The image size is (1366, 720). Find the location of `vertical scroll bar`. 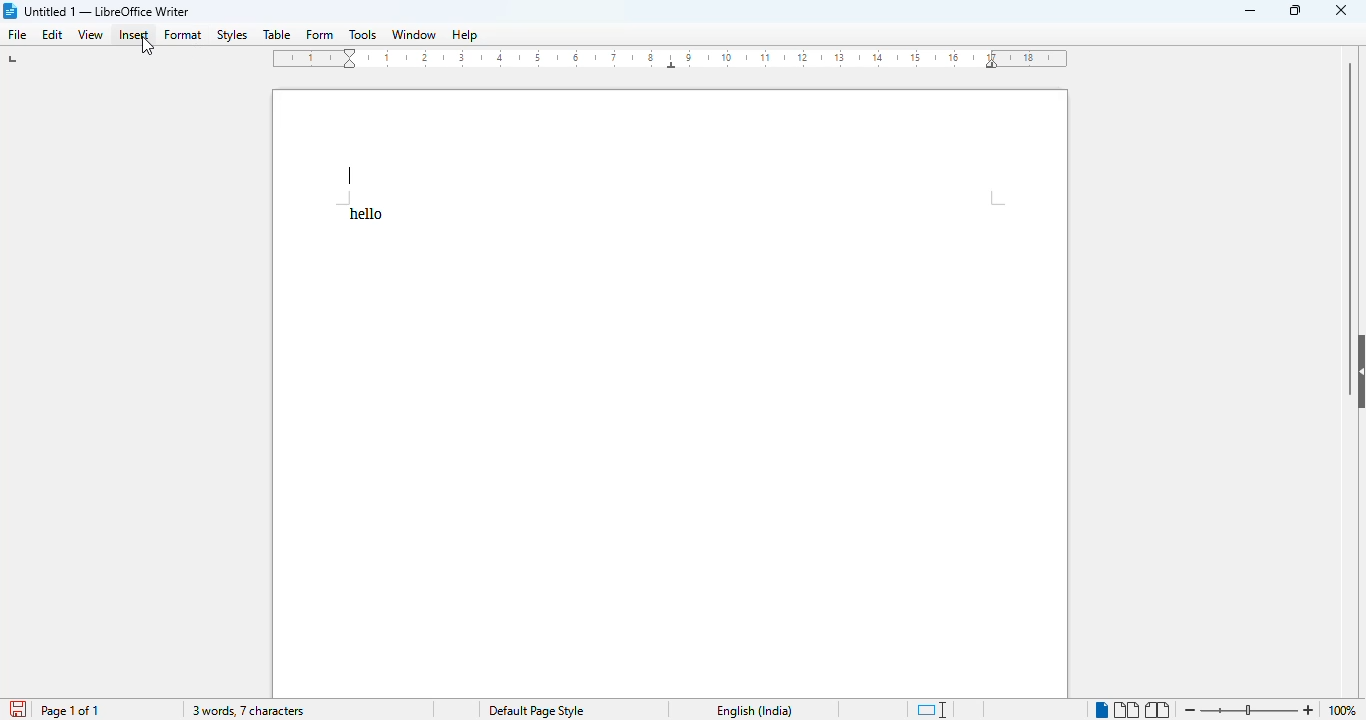

vertical scroll bar is located at coordinates (1351, 192).